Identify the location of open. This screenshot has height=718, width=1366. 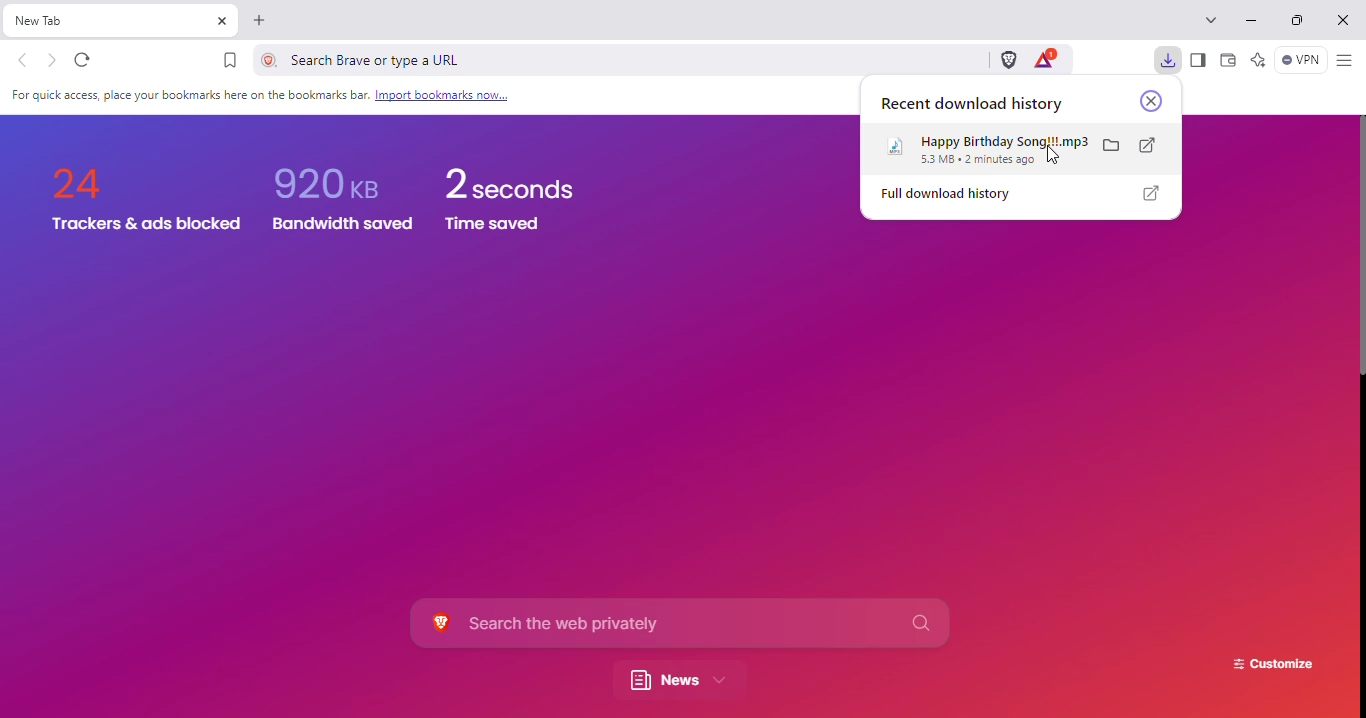
(1147, 145).